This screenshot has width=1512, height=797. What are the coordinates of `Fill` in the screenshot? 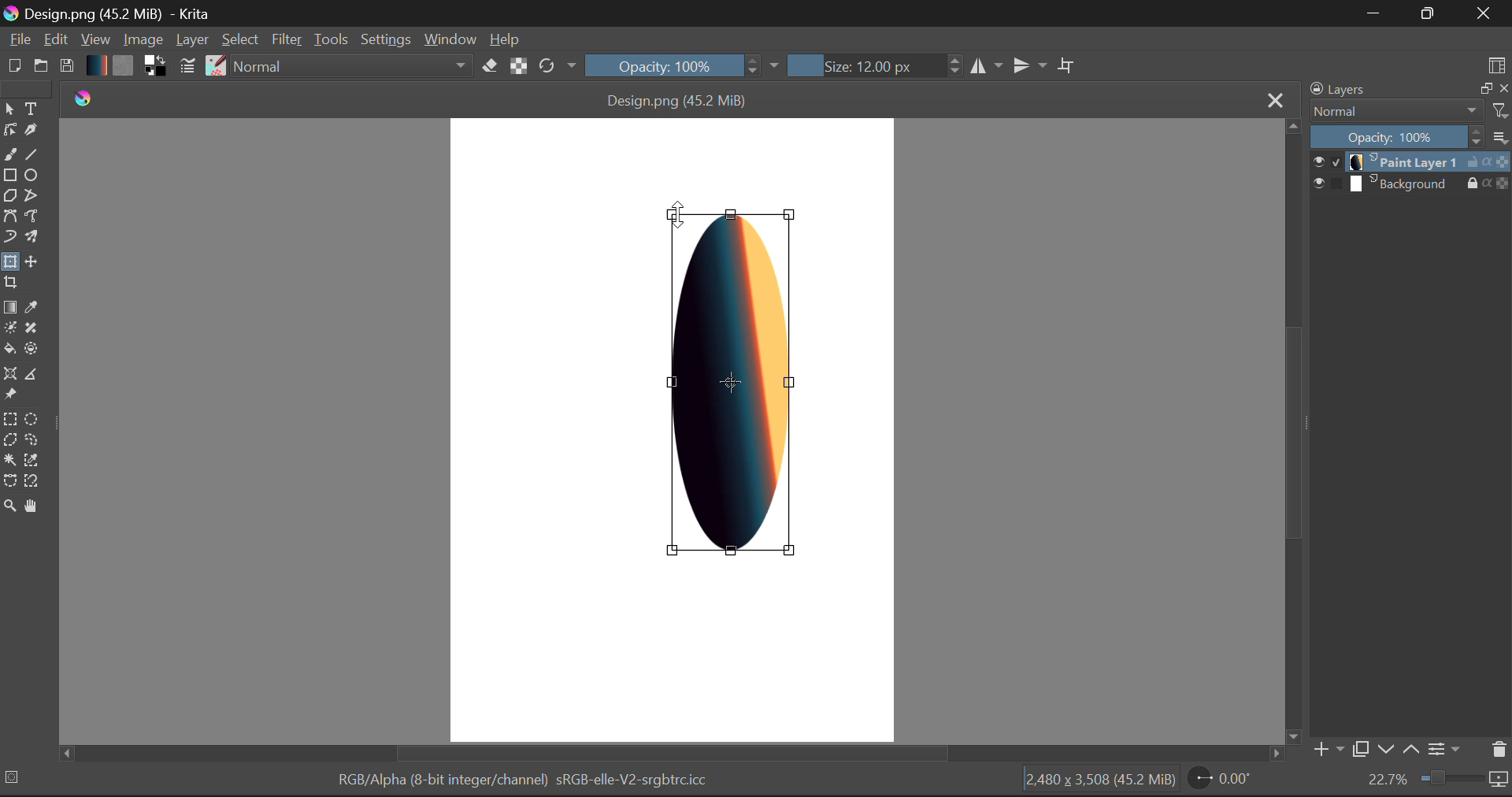 It's located at (10, 348).